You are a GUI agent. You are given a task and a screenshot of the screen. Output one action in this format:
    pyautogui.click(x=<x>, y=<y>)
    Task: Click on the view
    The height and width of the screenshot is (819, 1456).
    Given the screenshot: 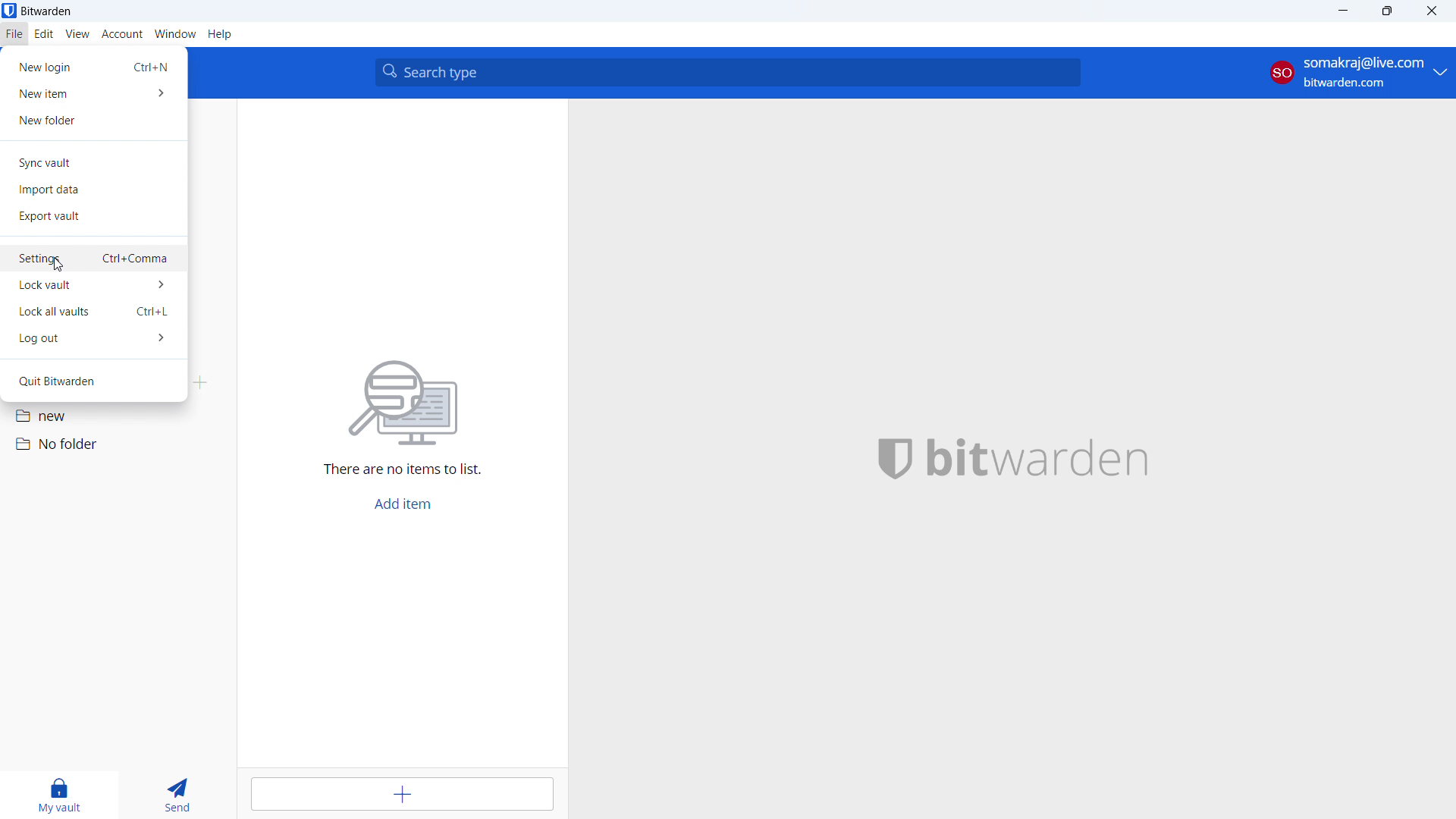 What is the action you would take?
    pyautogui.click(x=77, y=34)
    